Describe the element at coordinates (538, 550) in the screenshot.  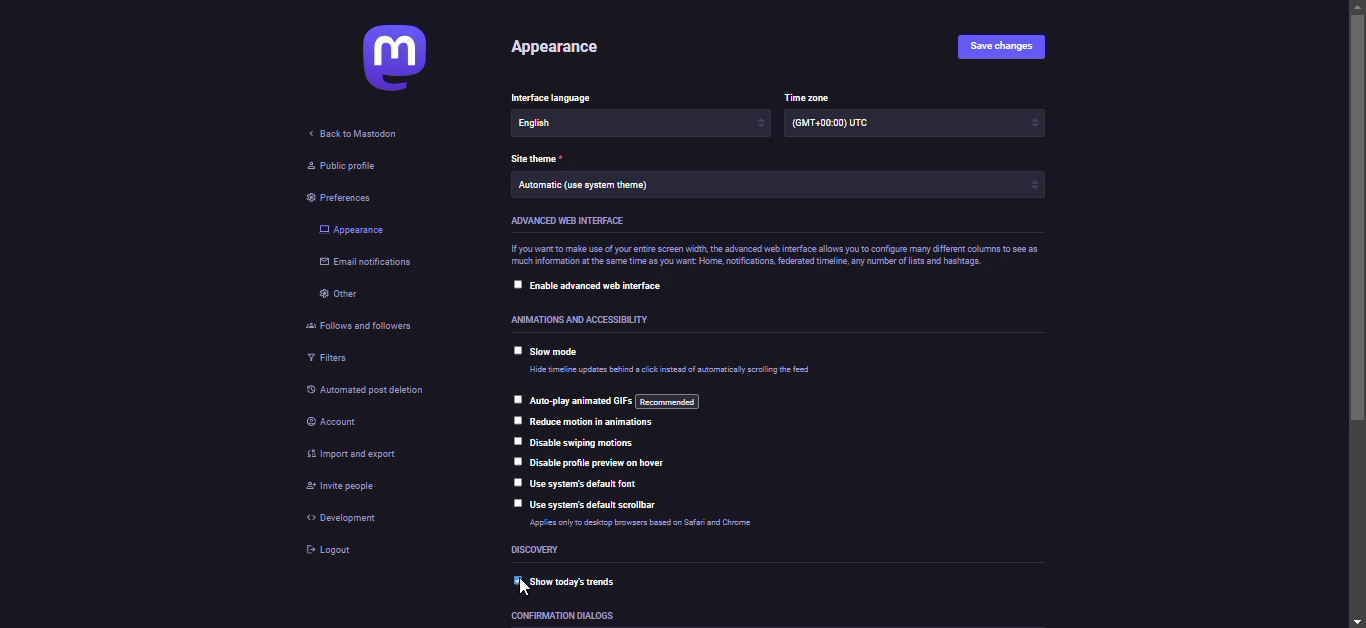
I see `discovery` at that location.